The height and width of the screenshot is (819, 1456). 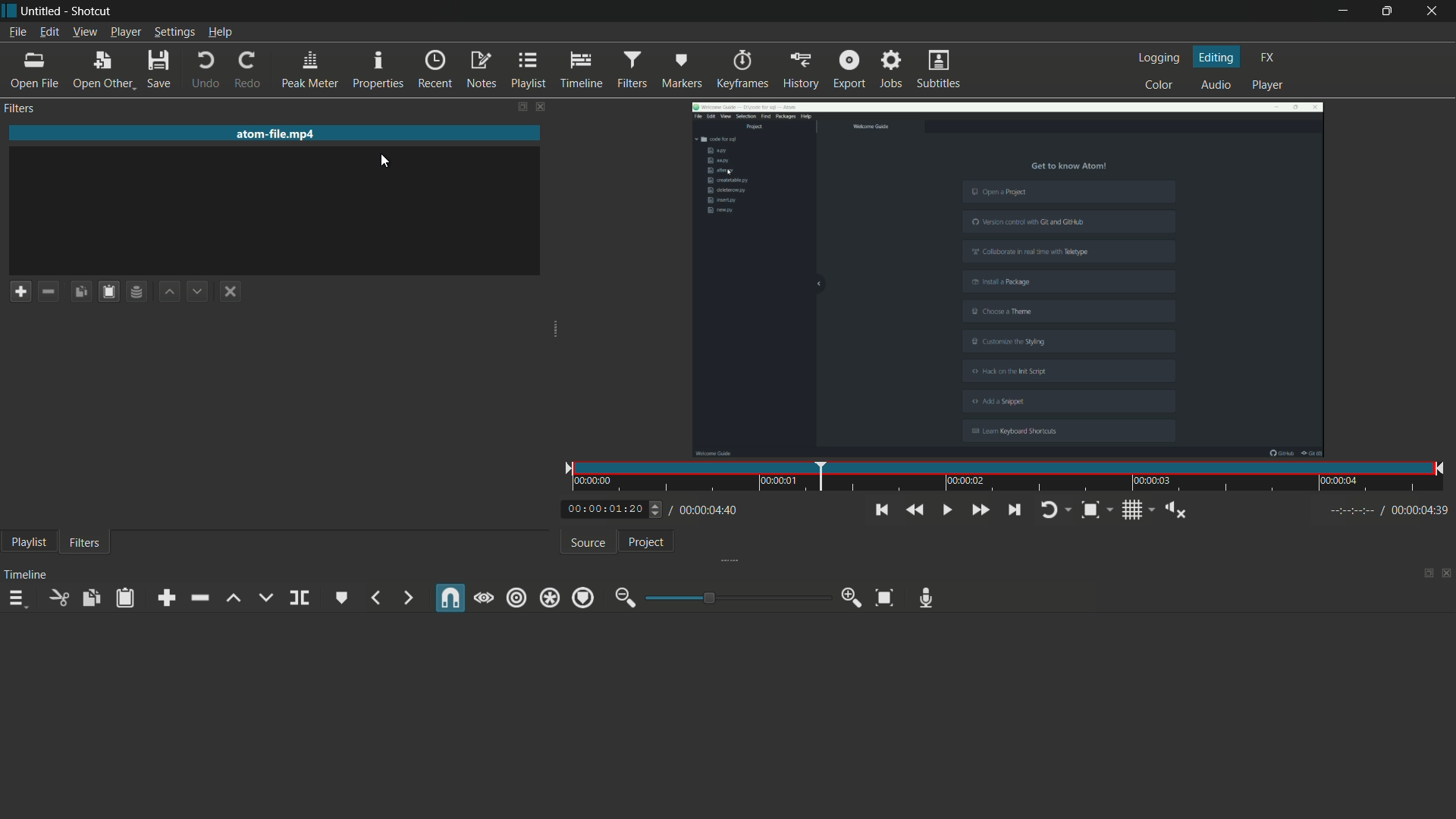 What do you see at coordinates (376, 68) in the screenshot?
I see `properties` at bounding box center [376, 68].